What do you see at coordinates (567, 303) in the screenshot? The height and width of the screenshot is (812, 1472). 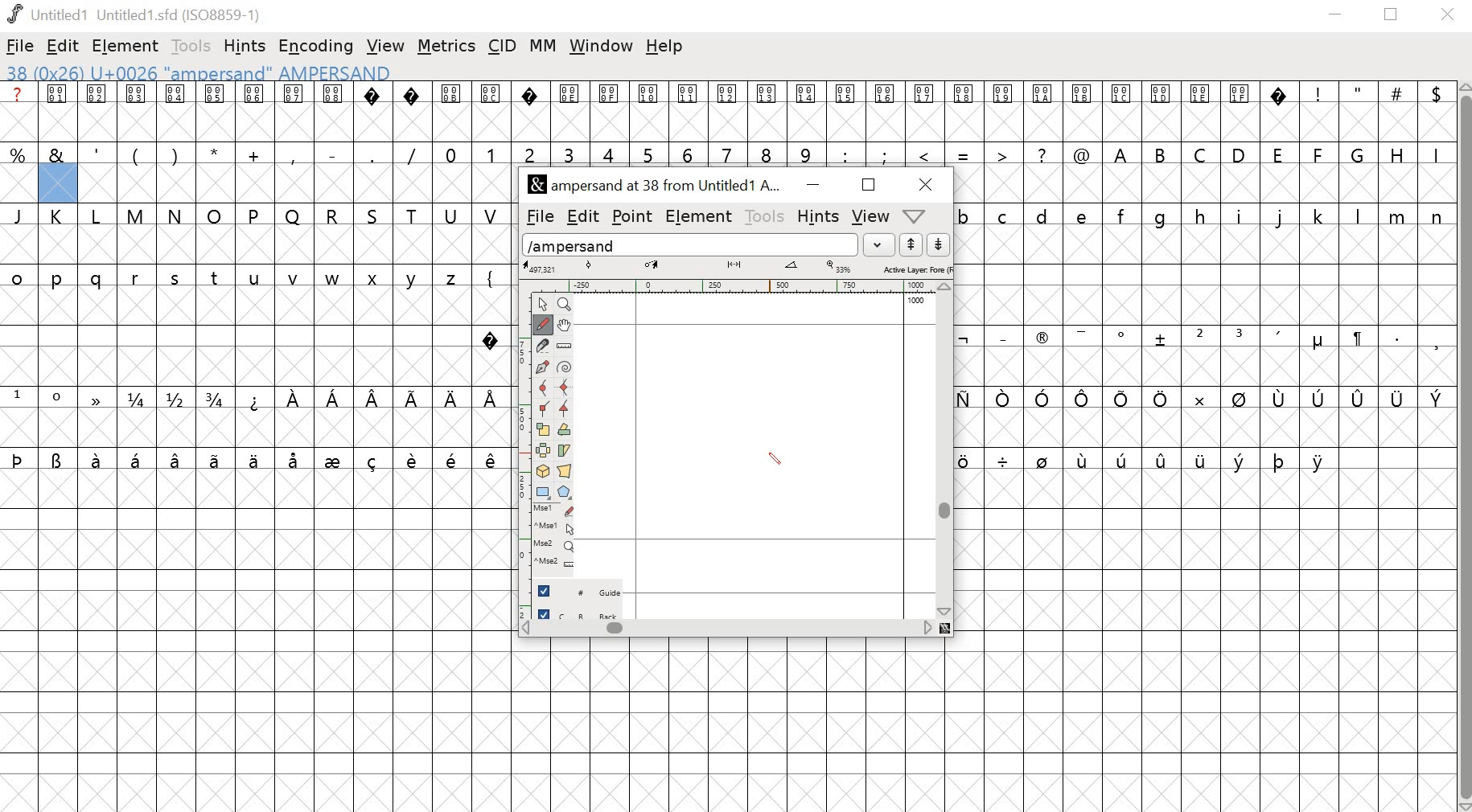 I see `magnify tool` at bounding box center [567, 303].